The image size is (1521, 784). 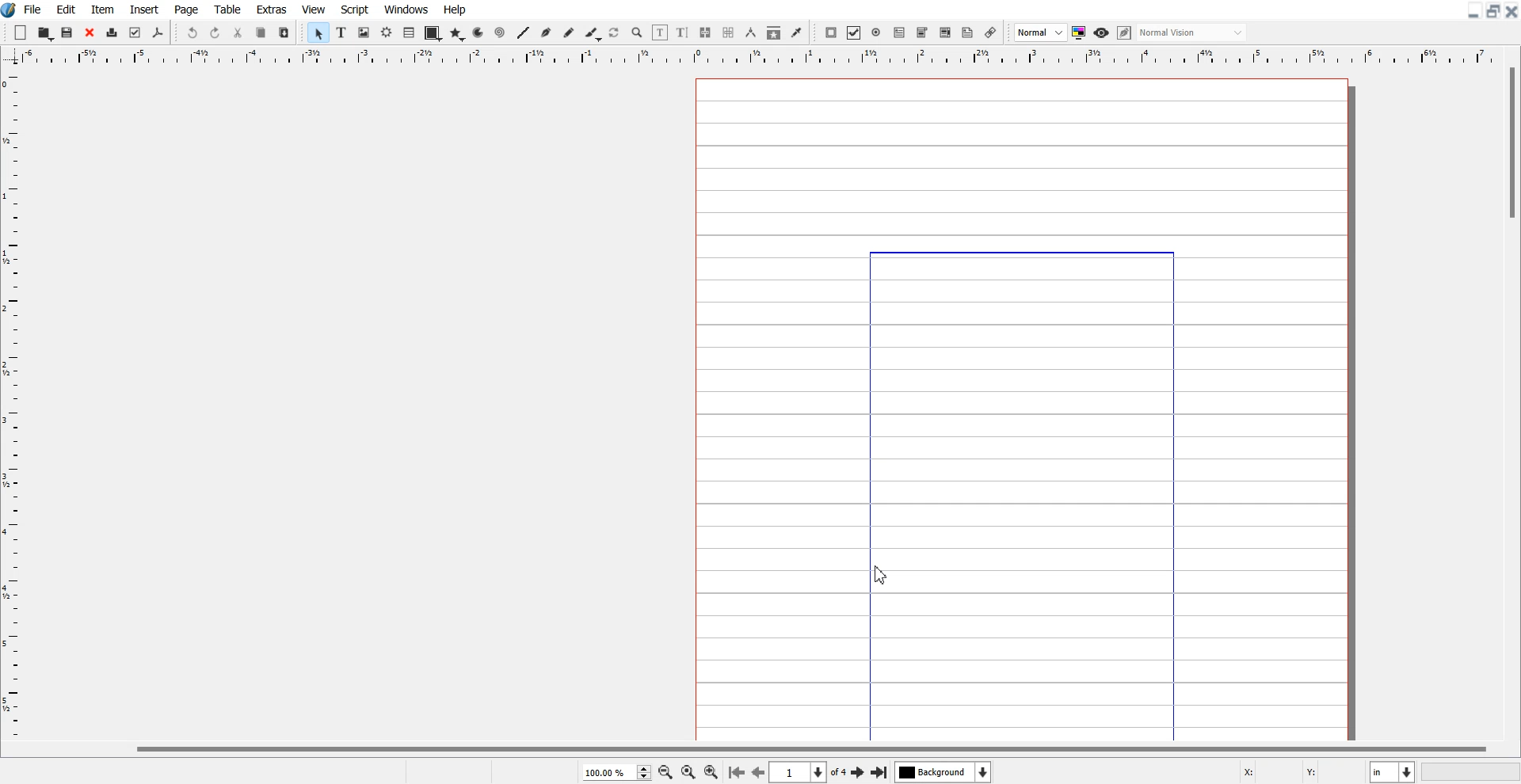 What do you see at coordinates (637, 32) in the screenshot?
I see `Zoom in or Out` at bounding box center [637, 32].